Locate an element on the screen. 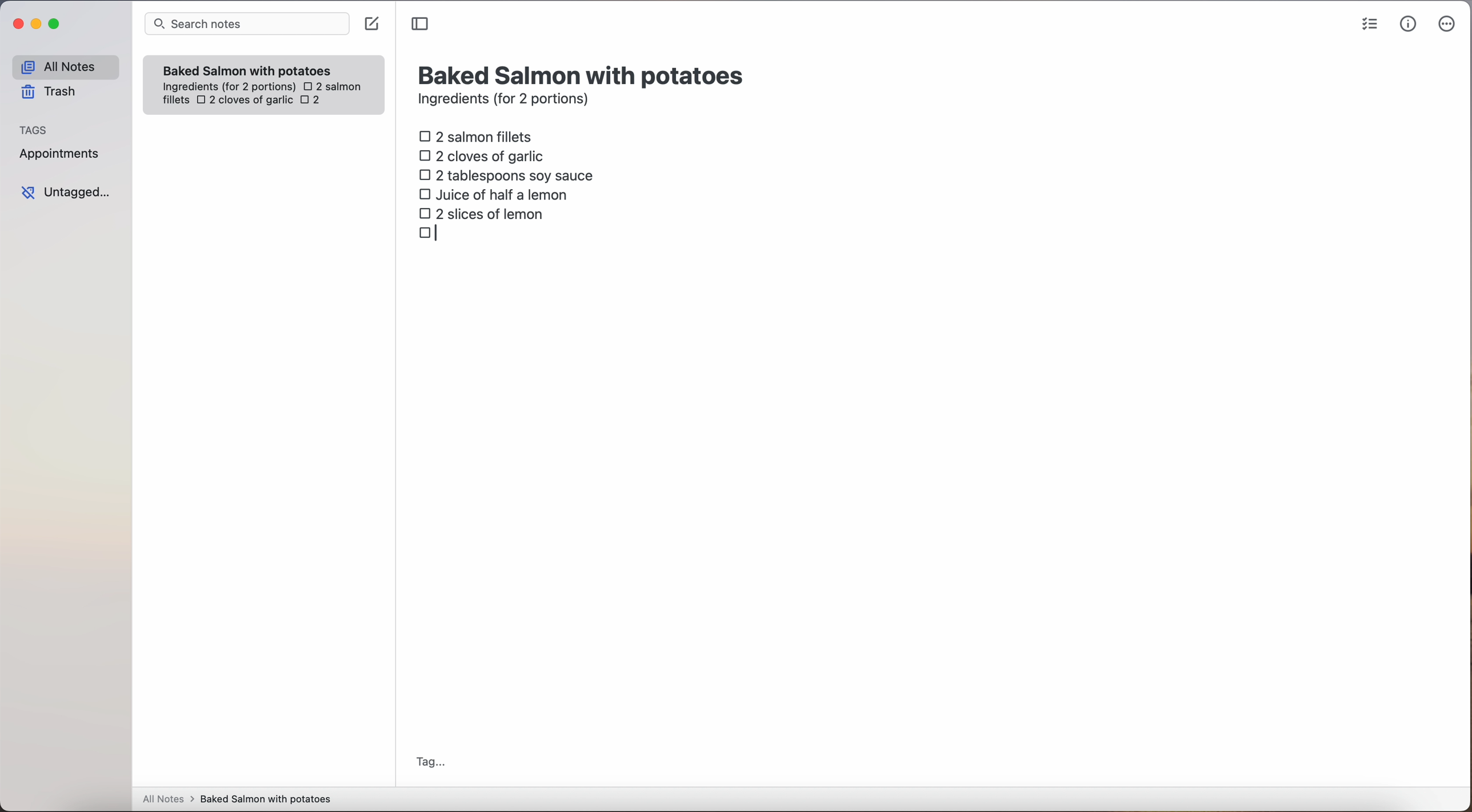 Image resolution: width=1472 pixels, height=812 pixels. check list is located at coordinates (1370, 25).